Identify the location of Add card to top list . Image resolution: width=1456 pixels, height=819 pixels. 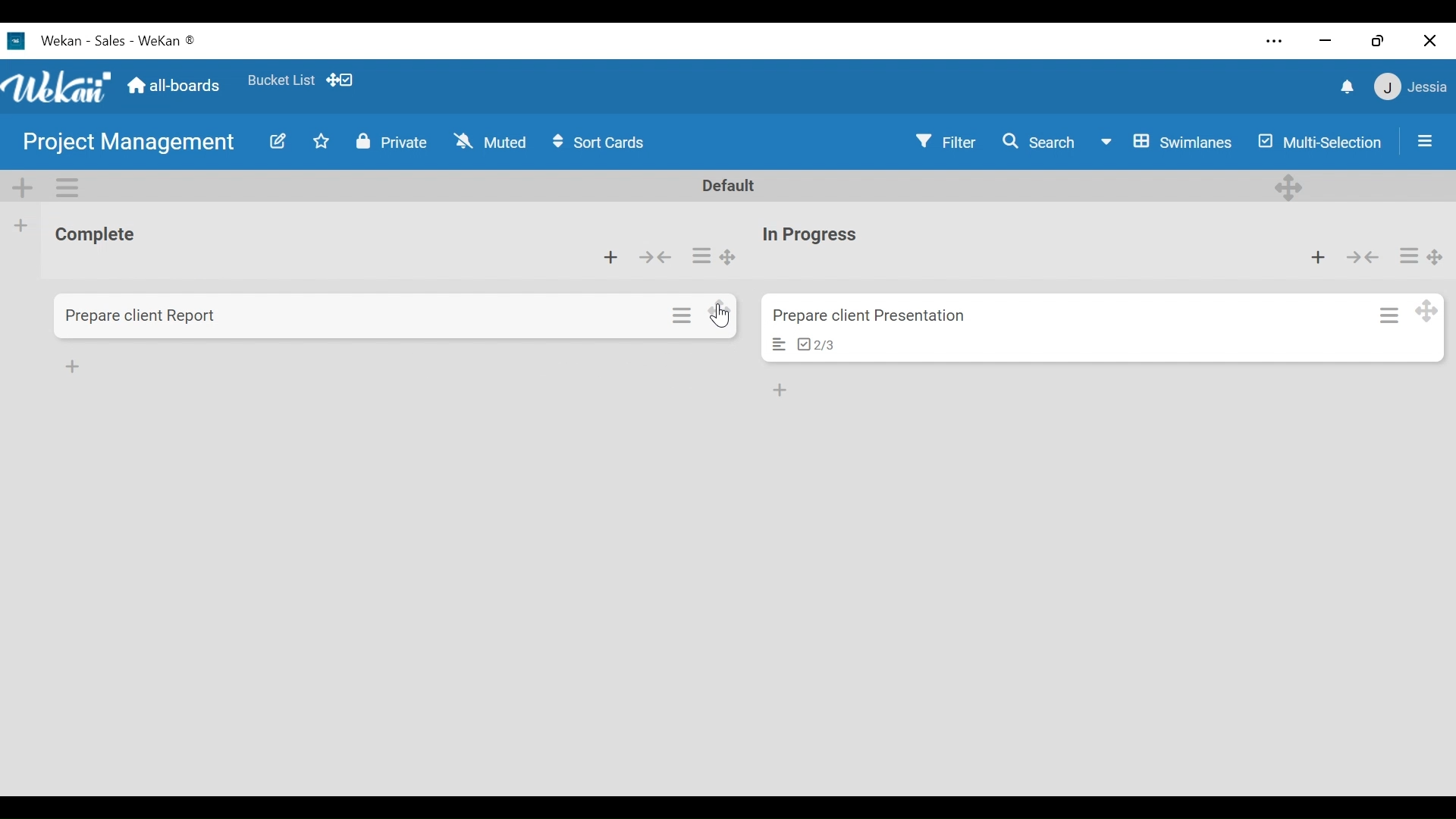
(1318, 259).